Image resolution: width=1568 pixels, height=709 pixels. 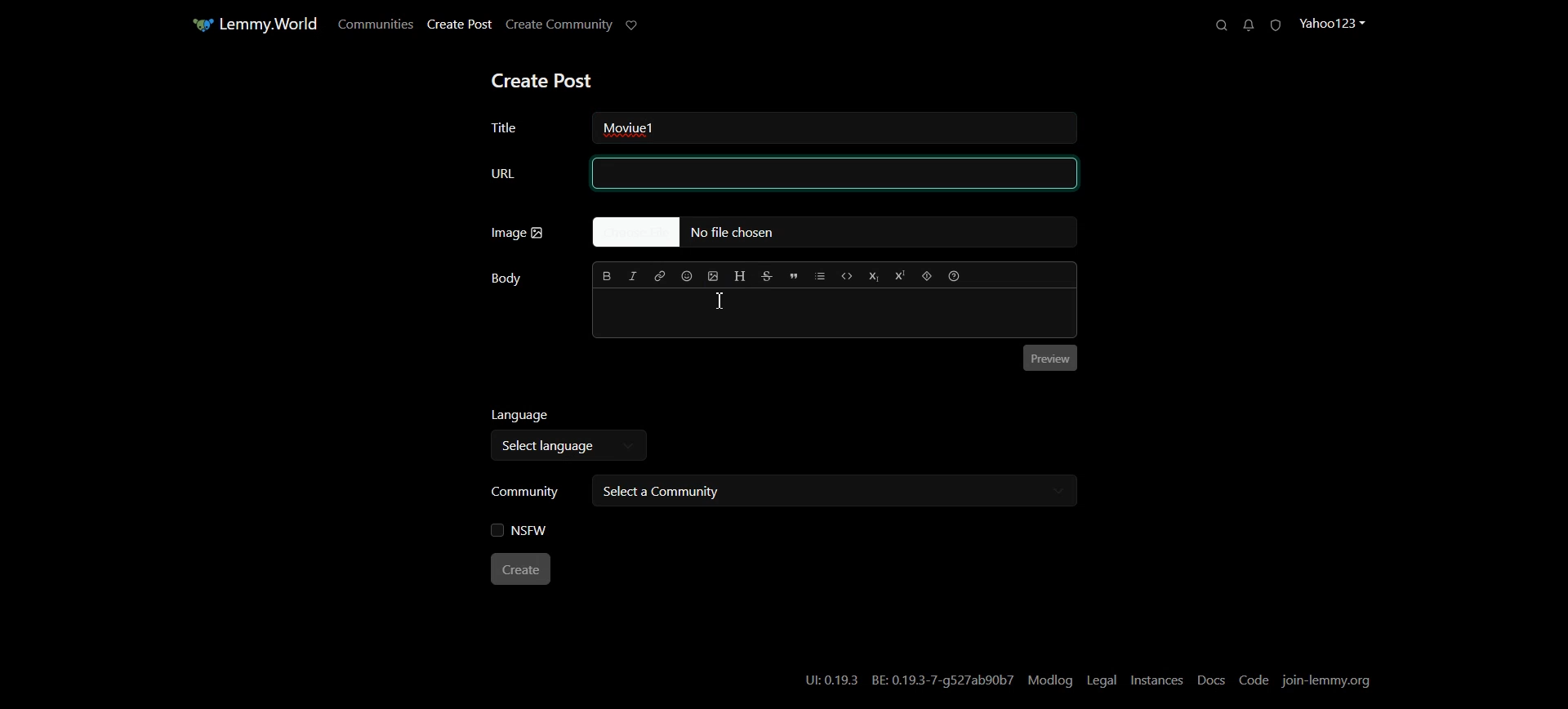 I want to click on Select a community, so click(x=831, y=491).